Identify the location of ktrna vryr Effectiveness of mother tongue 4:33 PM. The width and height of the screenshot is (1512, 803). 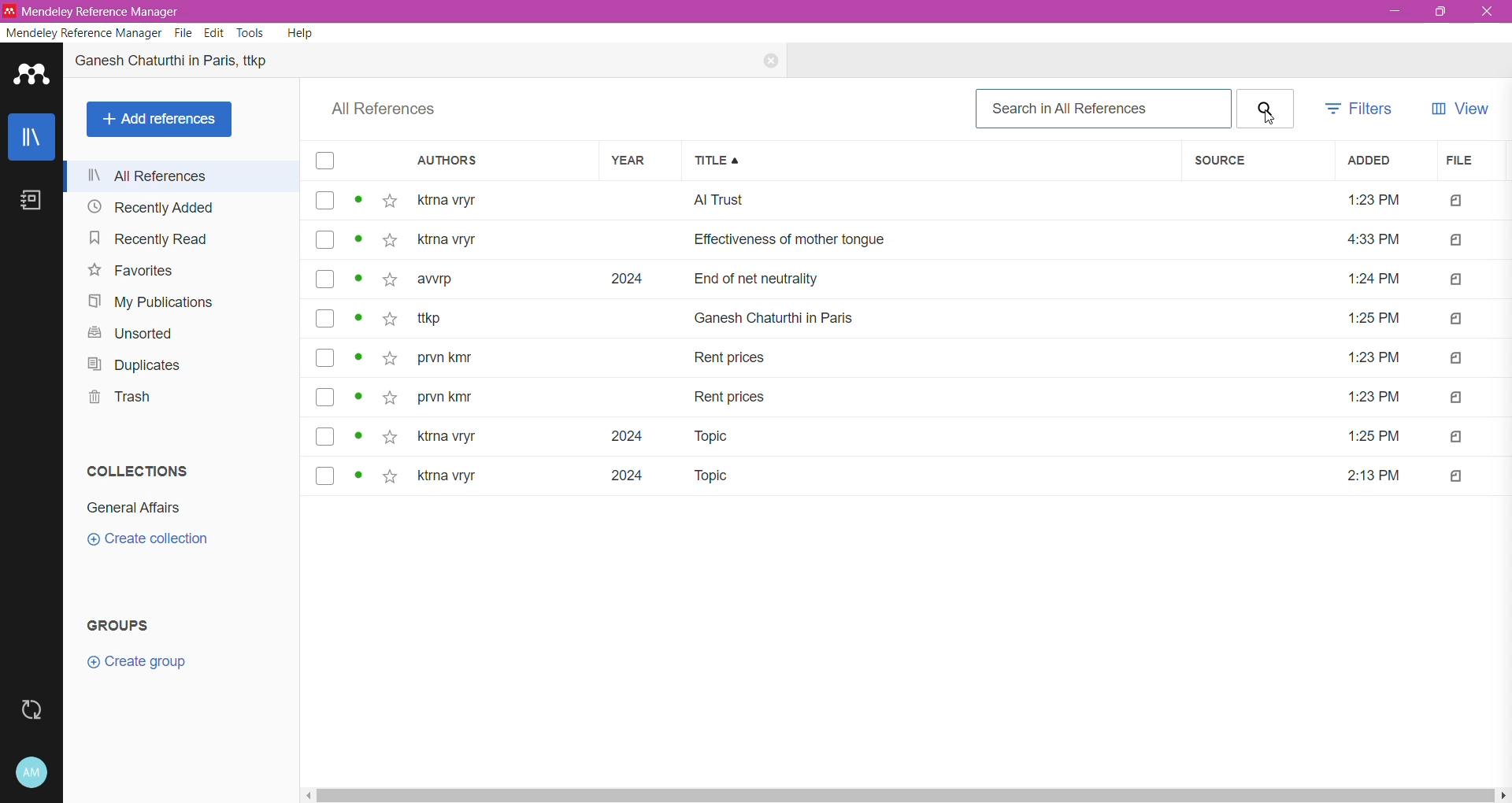
(910, 240).